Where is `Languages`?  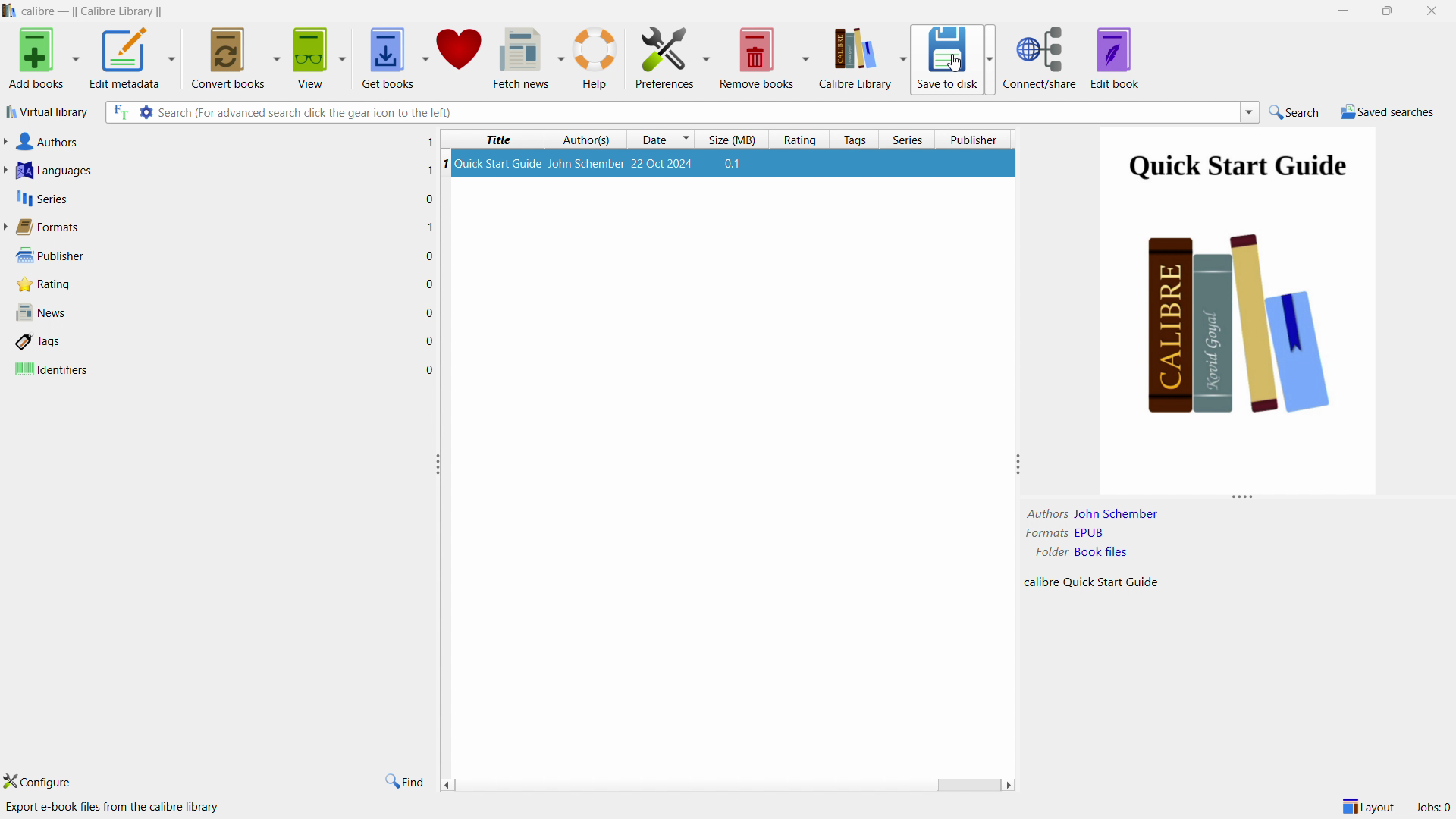 Languages is located at coordinates (53, 170).